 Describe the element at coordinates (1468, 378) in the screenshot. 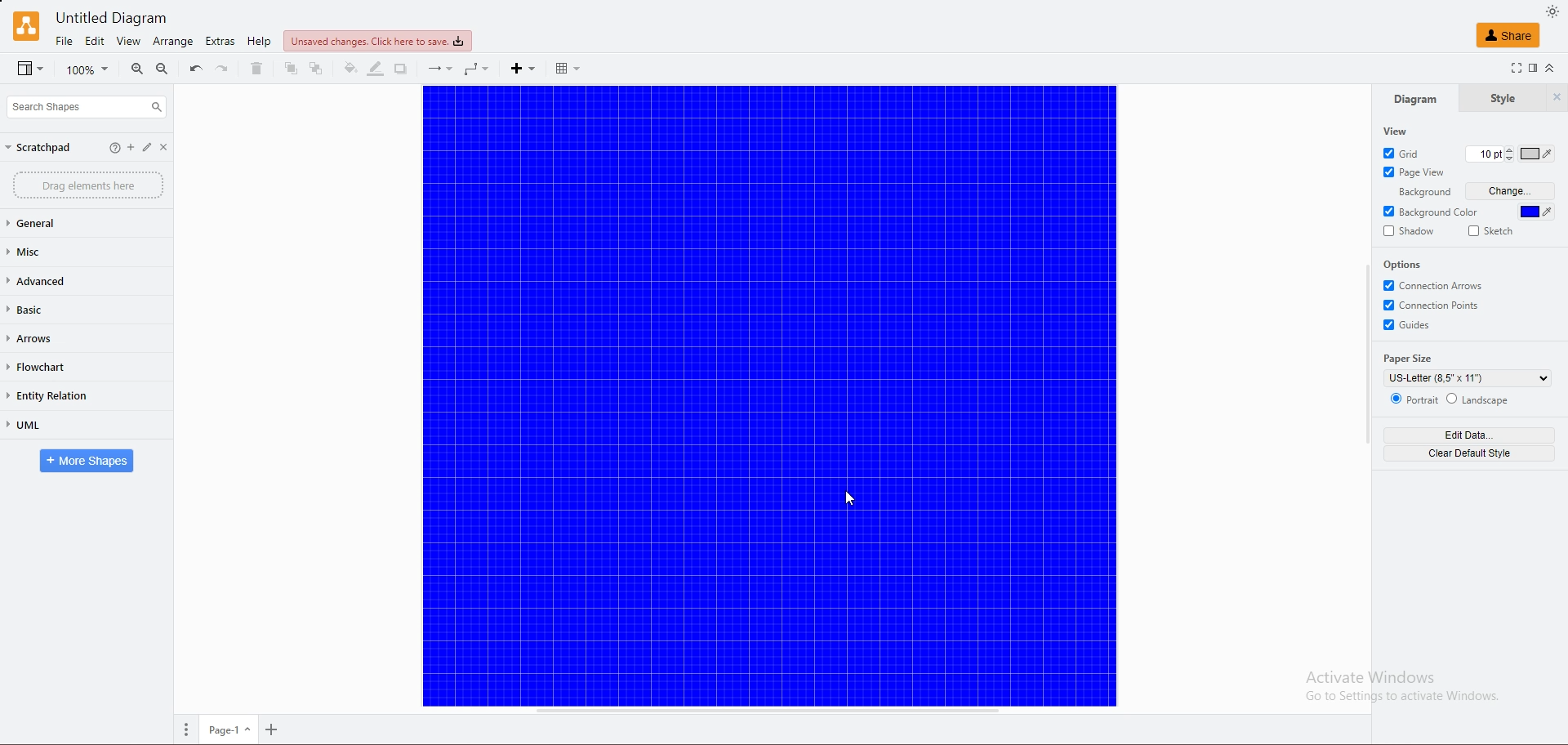

I see `paper size value` at that location.